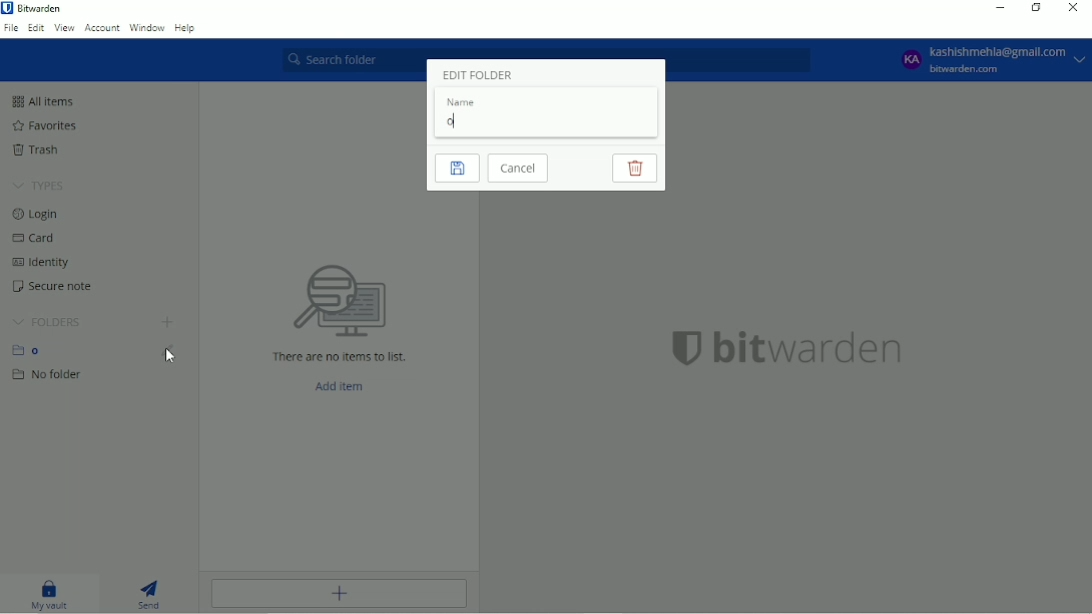 The image size is (1092, 614). What do you see at coordinates (147, 28) in the screenshot?
I see `Window` at bounding box center [147, 28].